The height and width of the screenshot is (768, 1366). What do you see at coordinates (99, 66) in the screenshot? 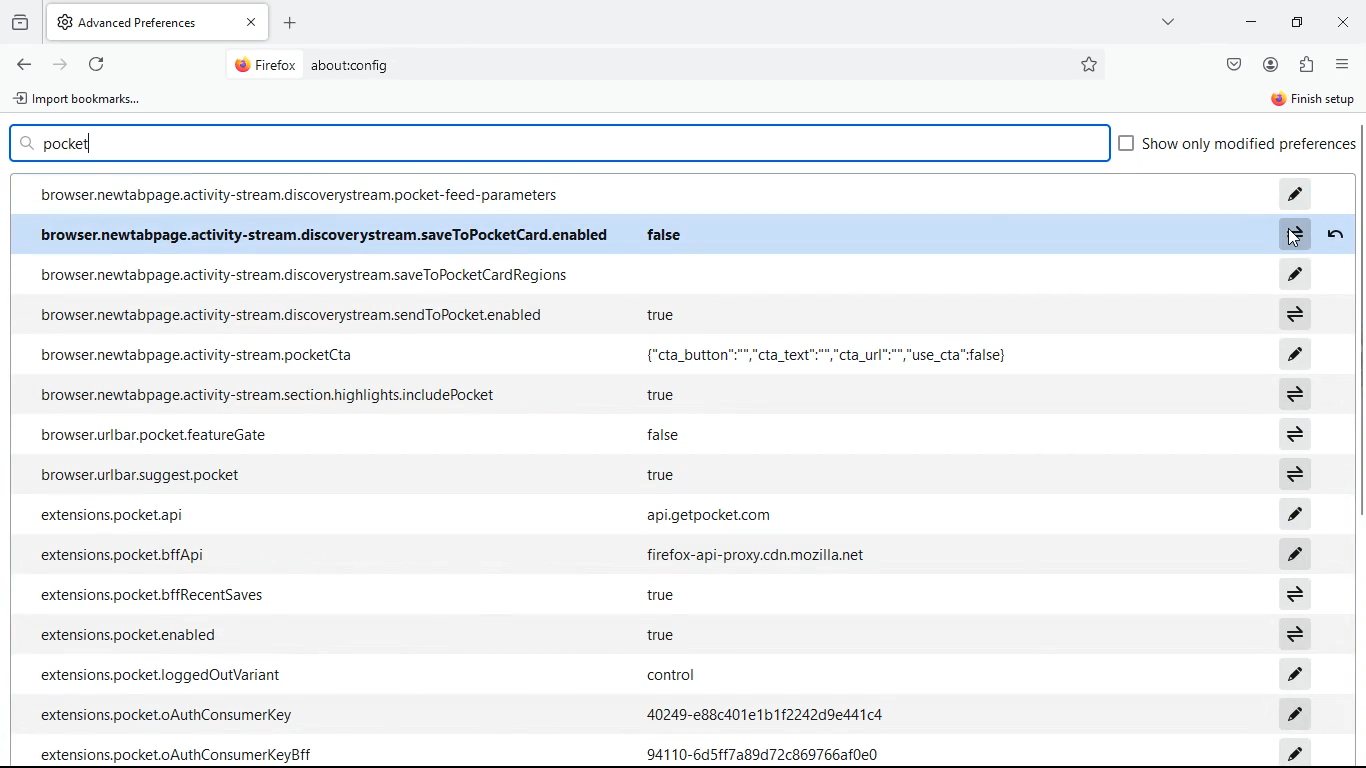
I see `refresh` at bounding box center [99, 66].